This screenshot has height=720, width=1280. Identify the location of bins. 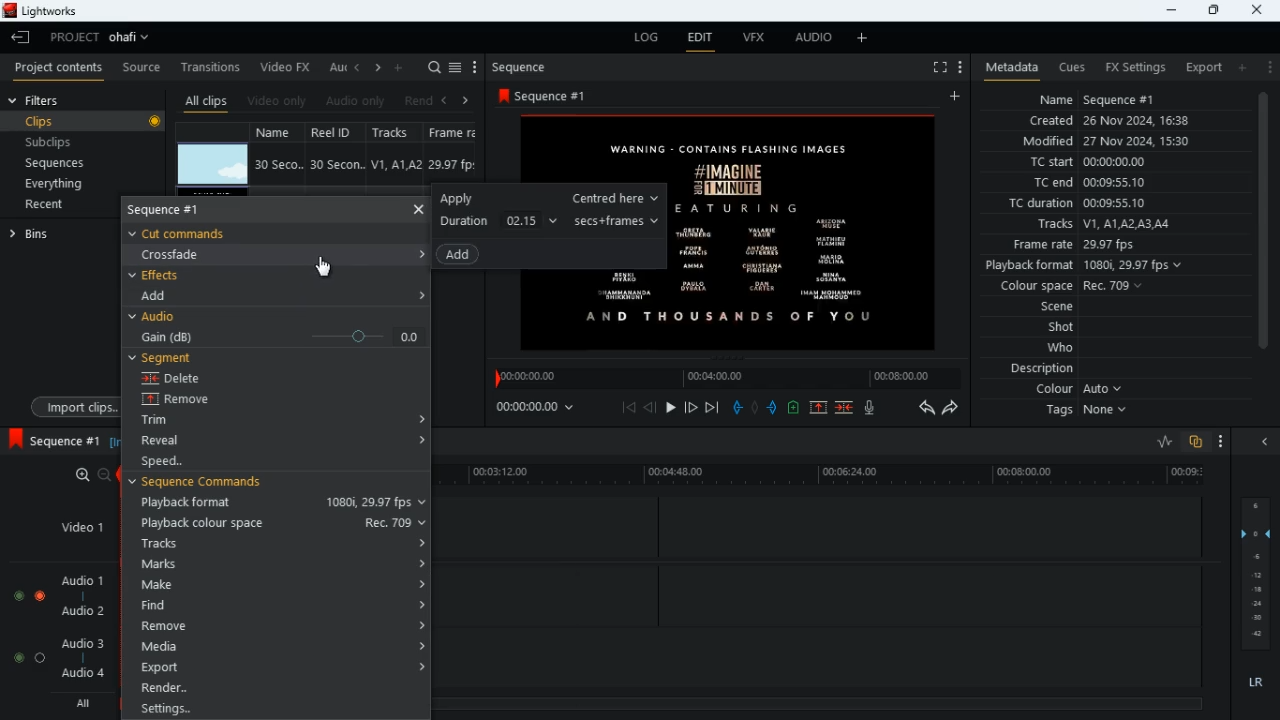
(55, 233).